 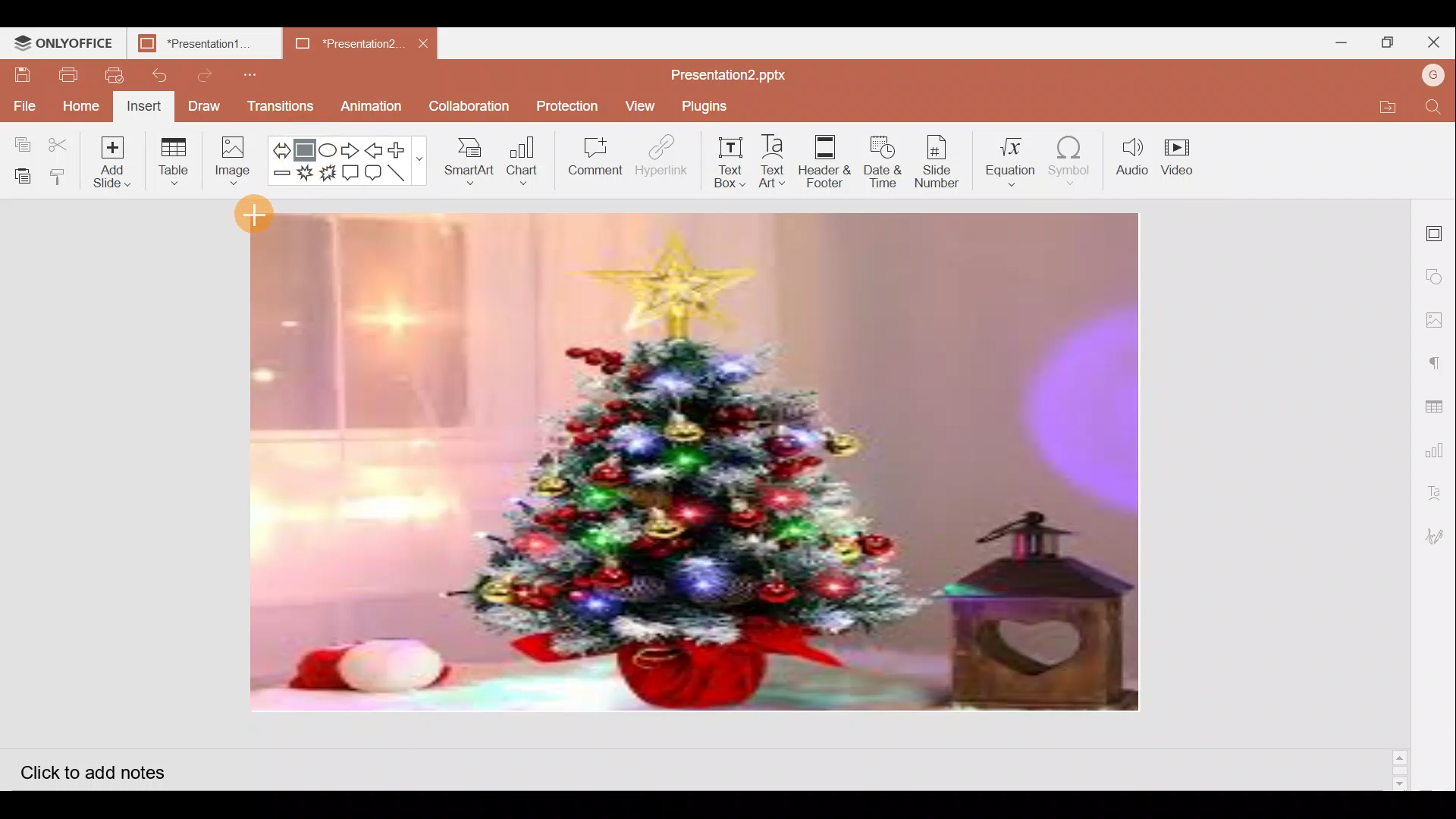 I want to click on Right arrow, so click(x=351, y=148).